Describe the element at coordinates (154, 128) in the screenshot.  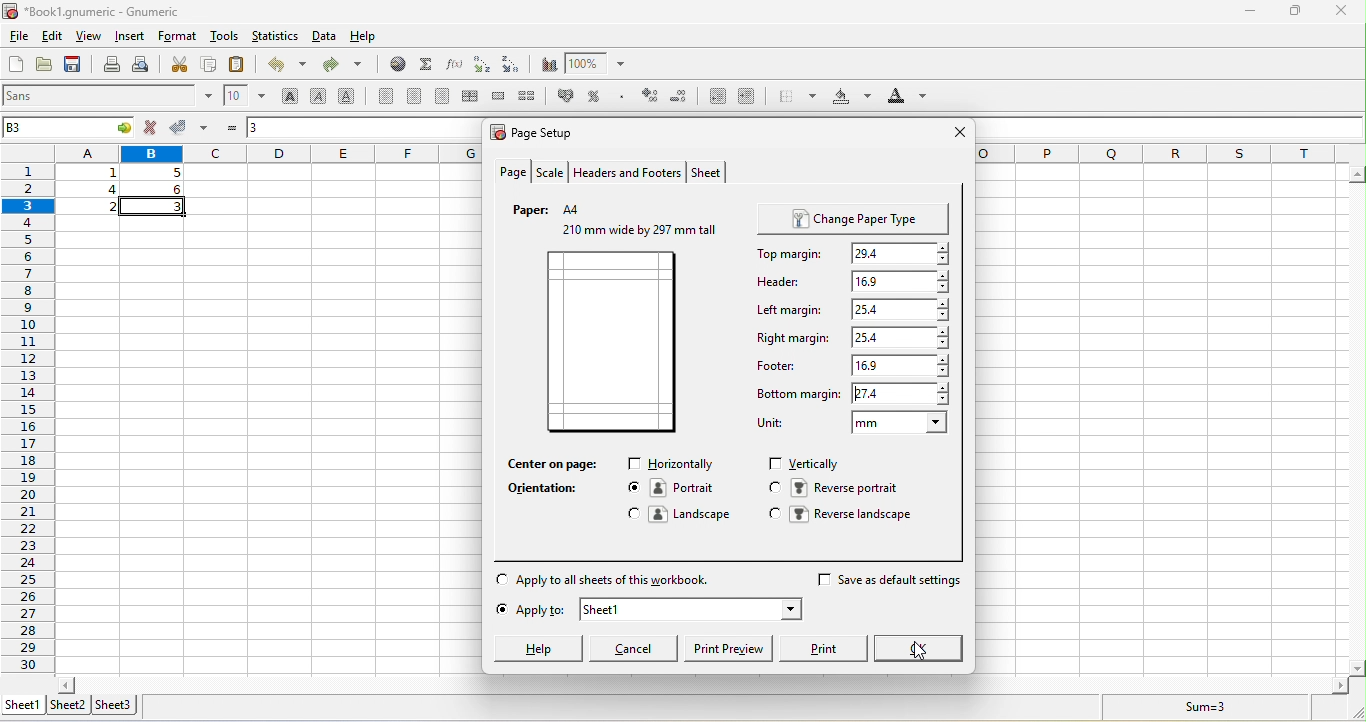
I see `cancel change` at that location.